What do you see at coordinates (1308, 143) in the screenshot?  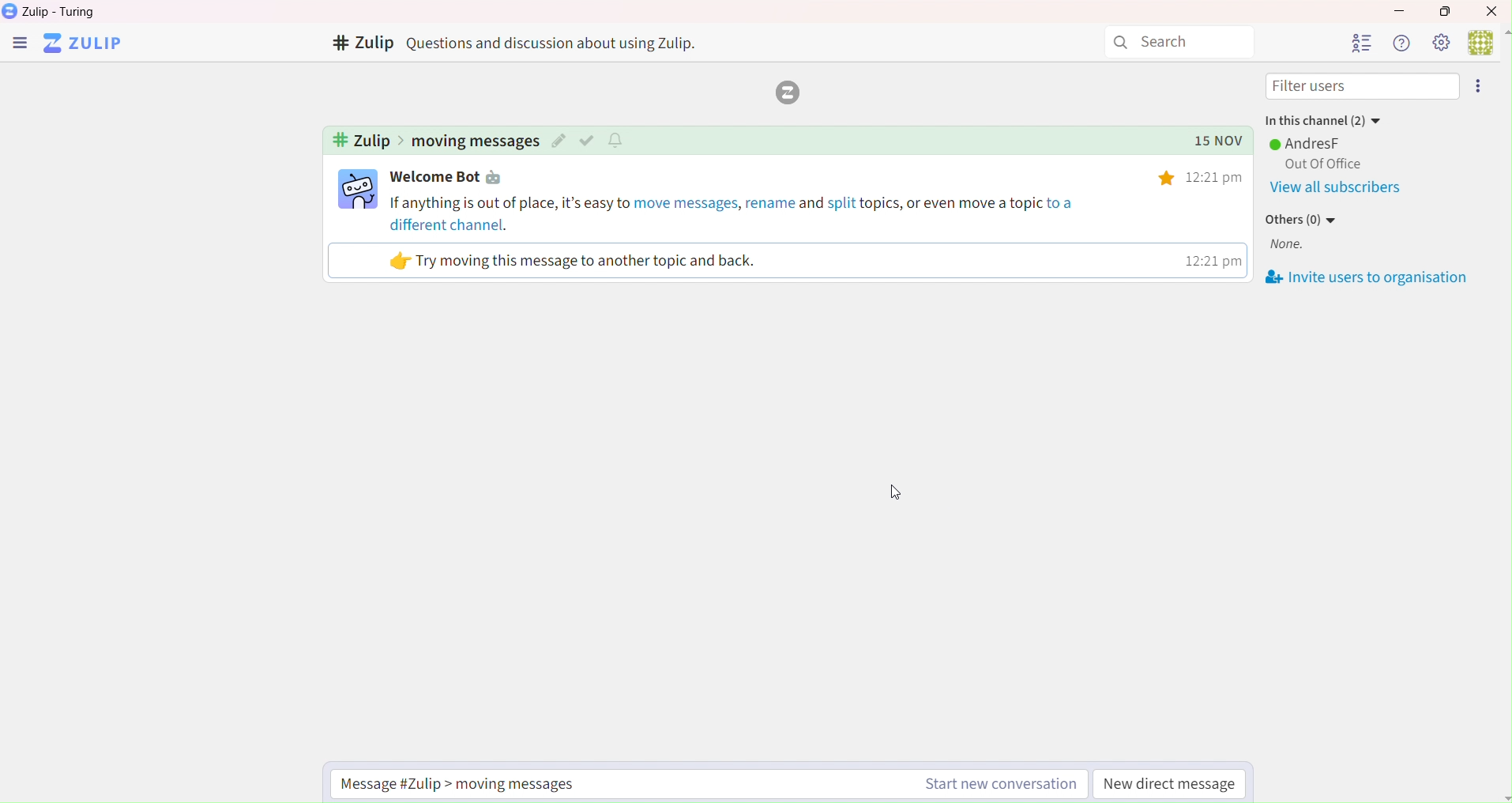 I see `AndresF` at bounding box center [1308, 143].